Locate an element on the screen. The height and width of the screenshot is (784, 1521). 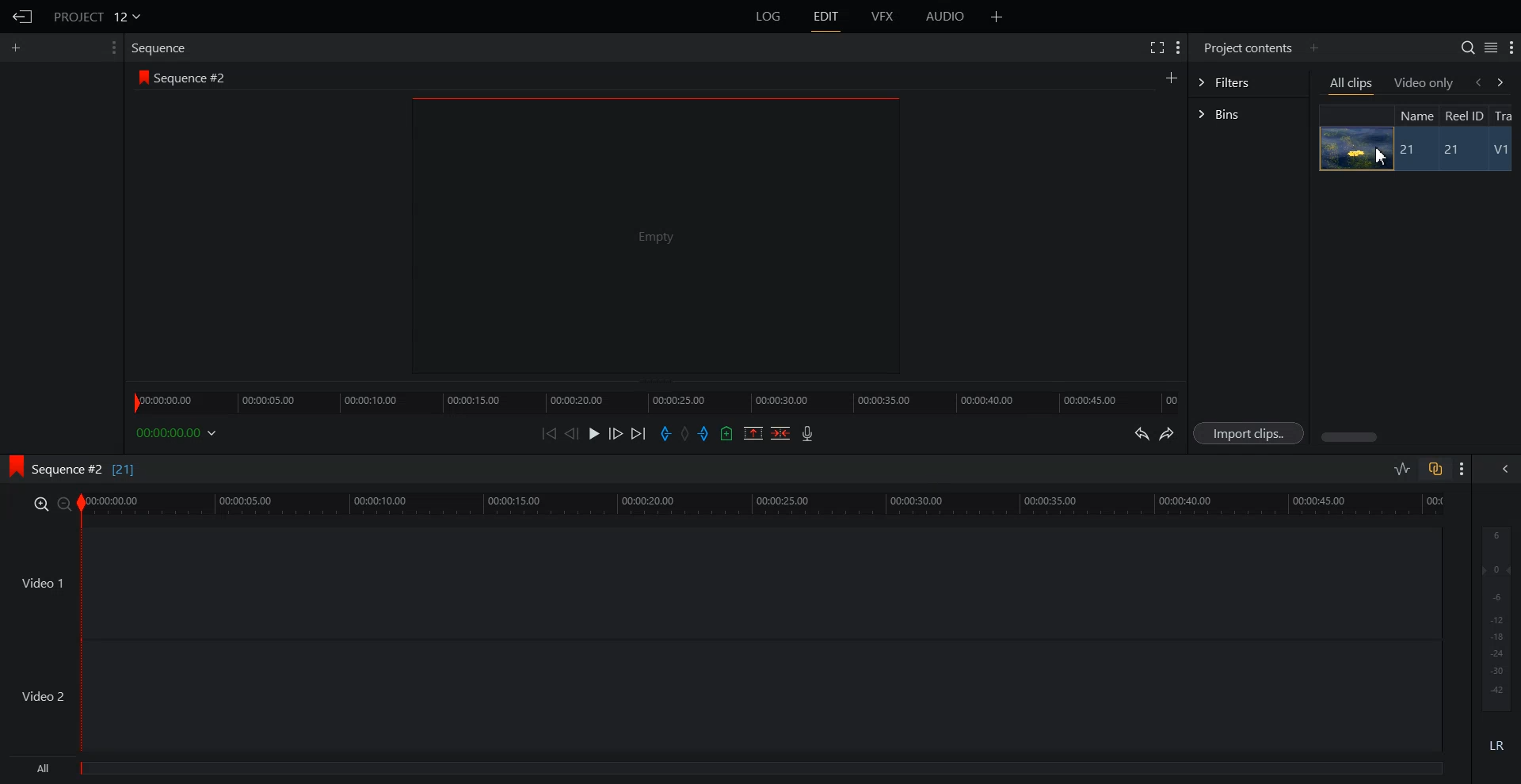
Nurse one frame forward is located at coordinates (616, 433).